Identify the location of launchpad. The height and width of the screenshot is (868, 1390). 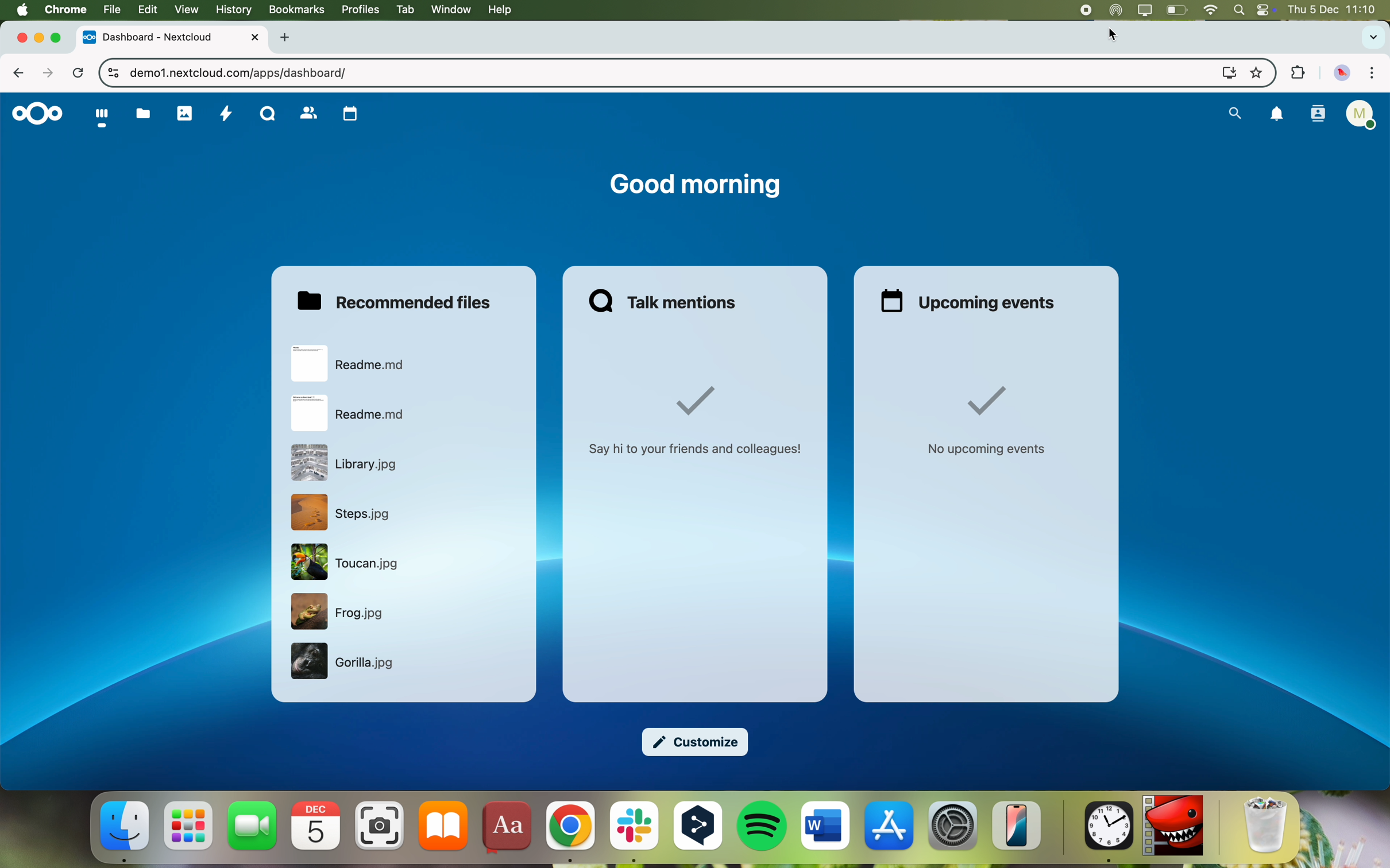
(188, 827).